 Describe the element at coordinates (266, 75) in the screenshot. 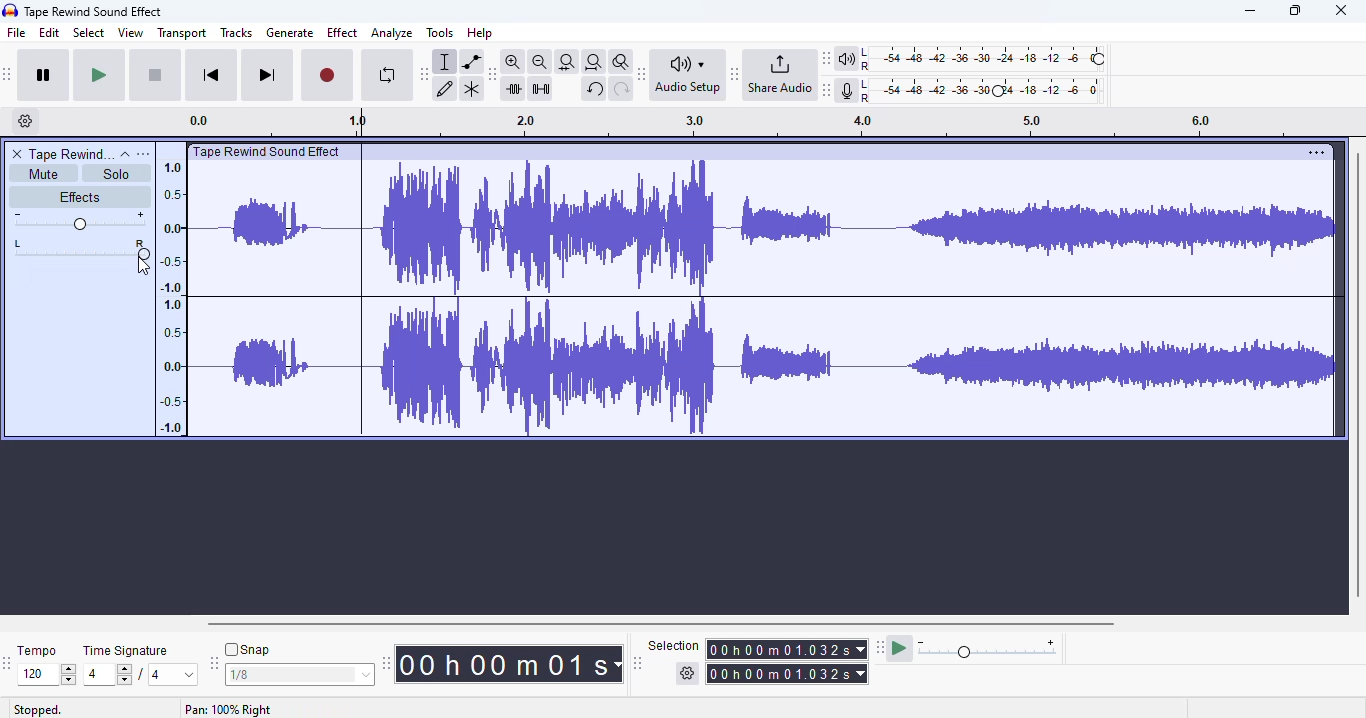

I see `skip to end` at that location.